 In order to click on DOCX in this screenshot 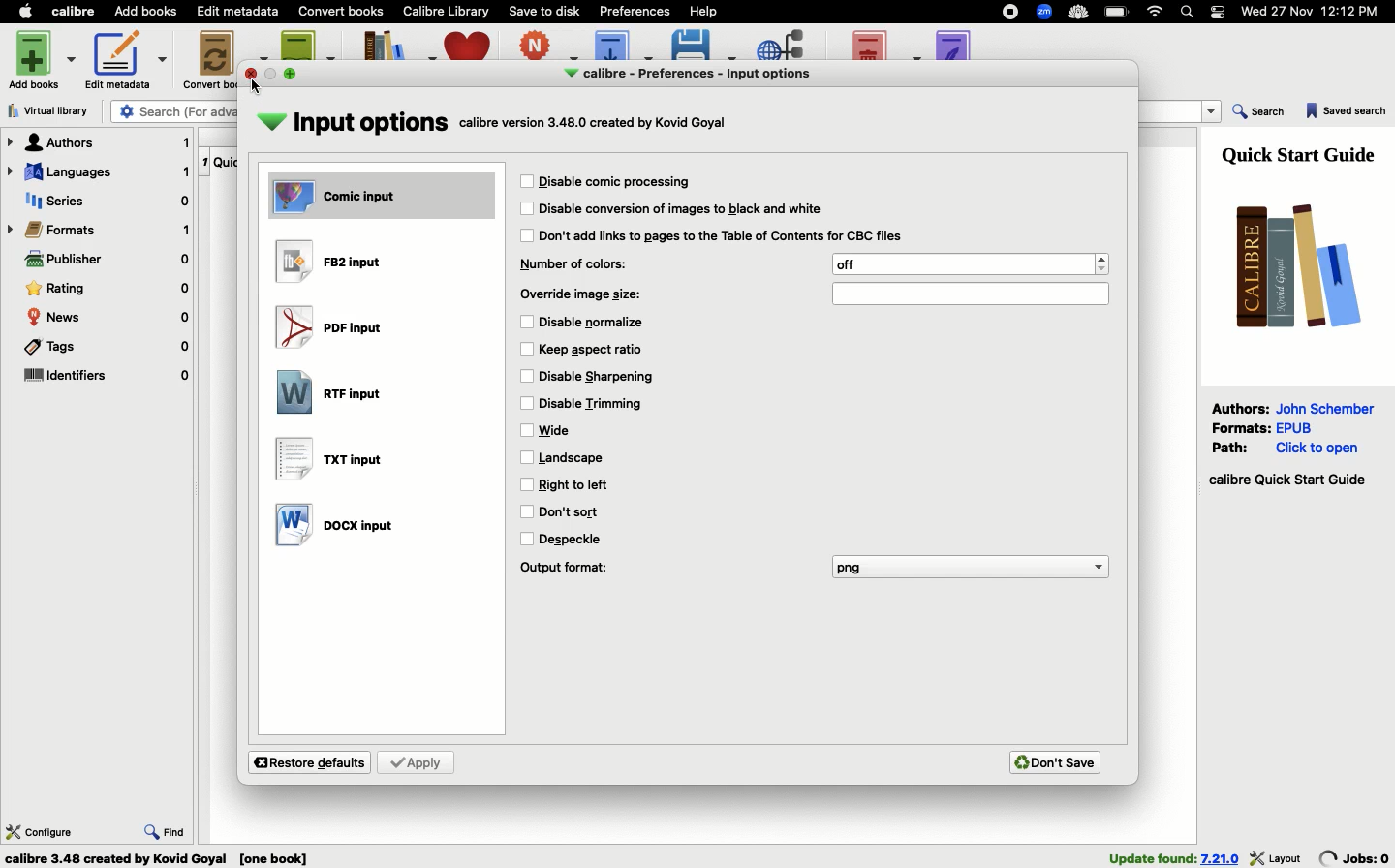, I will do `click(336, 525)`.